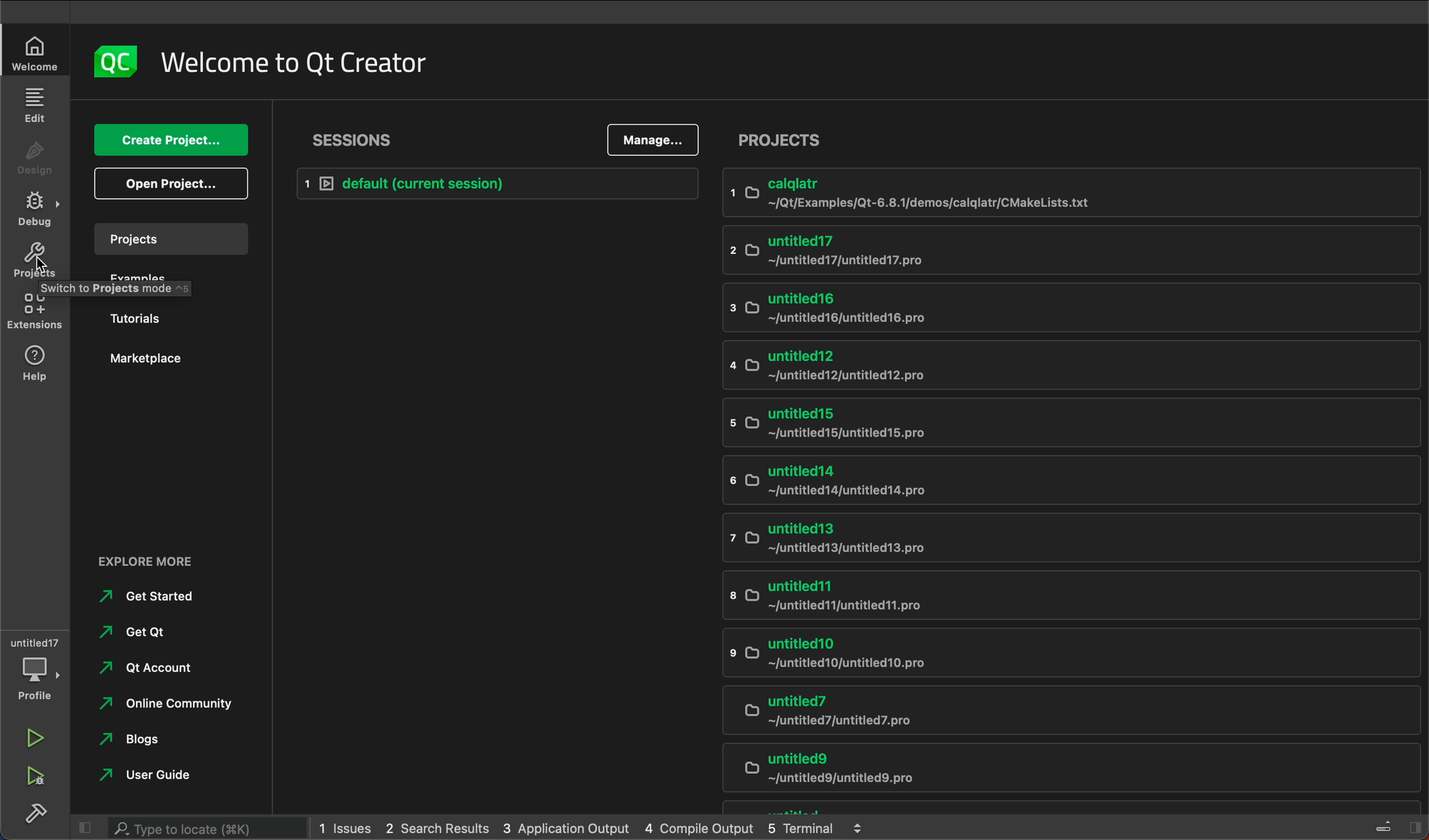 The width and height of the screenshot is (1429, 840). I want to click on untitled14, so click(1062, 478).